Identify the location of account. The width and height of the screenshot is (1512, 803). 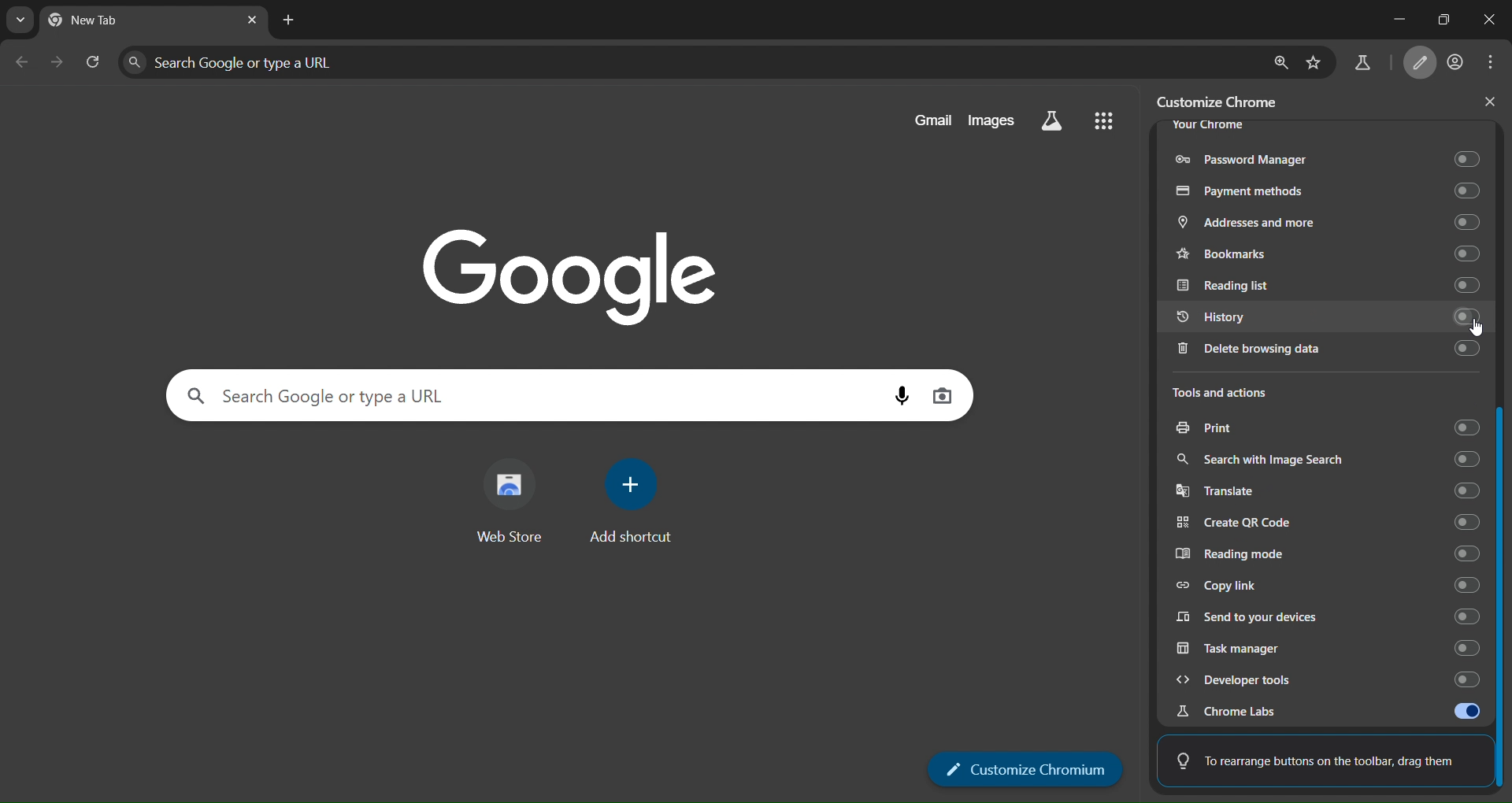
(1457, 63).